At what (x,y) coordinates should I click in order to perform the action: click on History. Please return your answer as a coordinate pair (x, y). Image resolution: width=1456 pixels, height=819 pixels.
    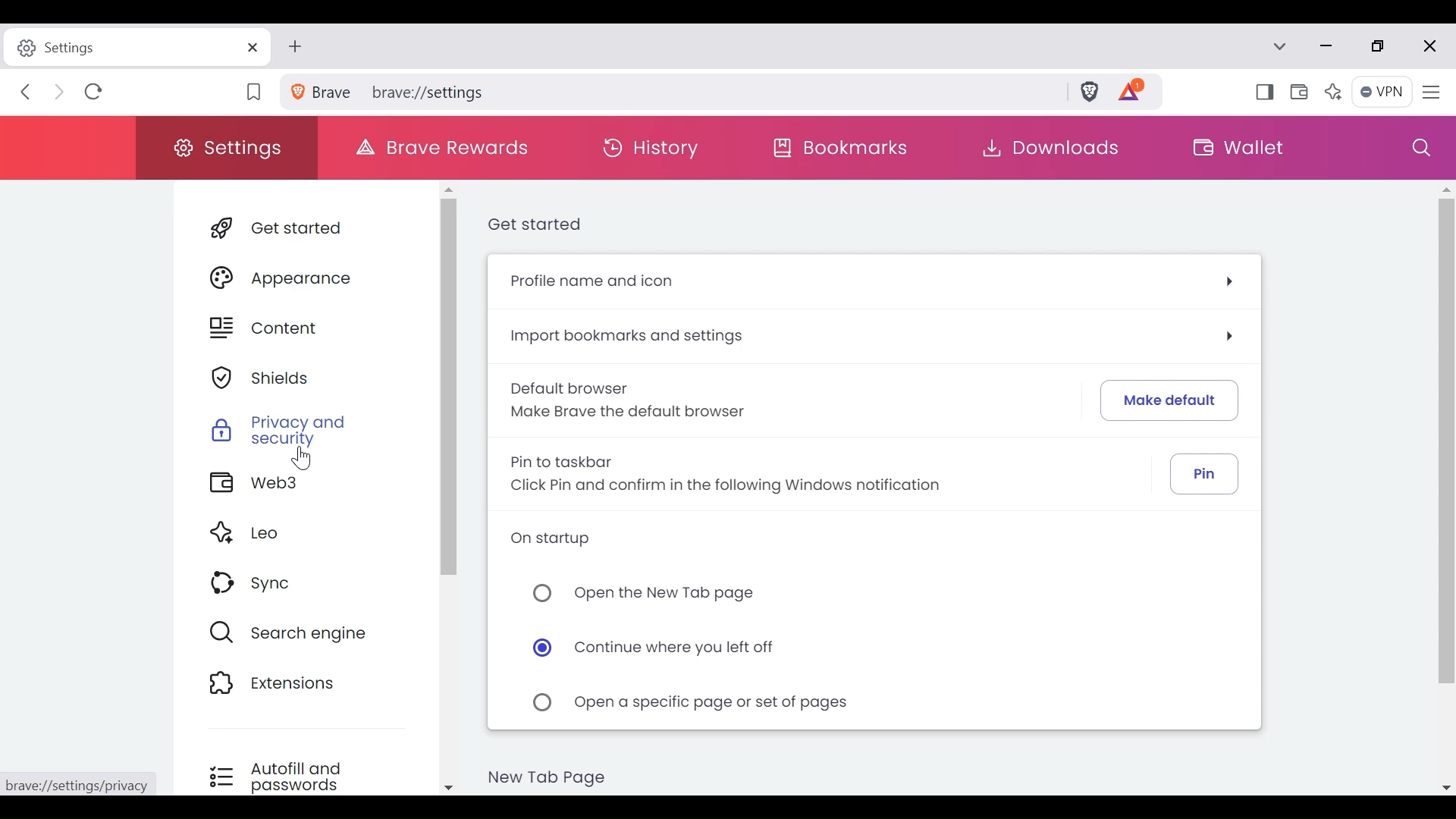
    Looking at the image, I should click on (657, 146).